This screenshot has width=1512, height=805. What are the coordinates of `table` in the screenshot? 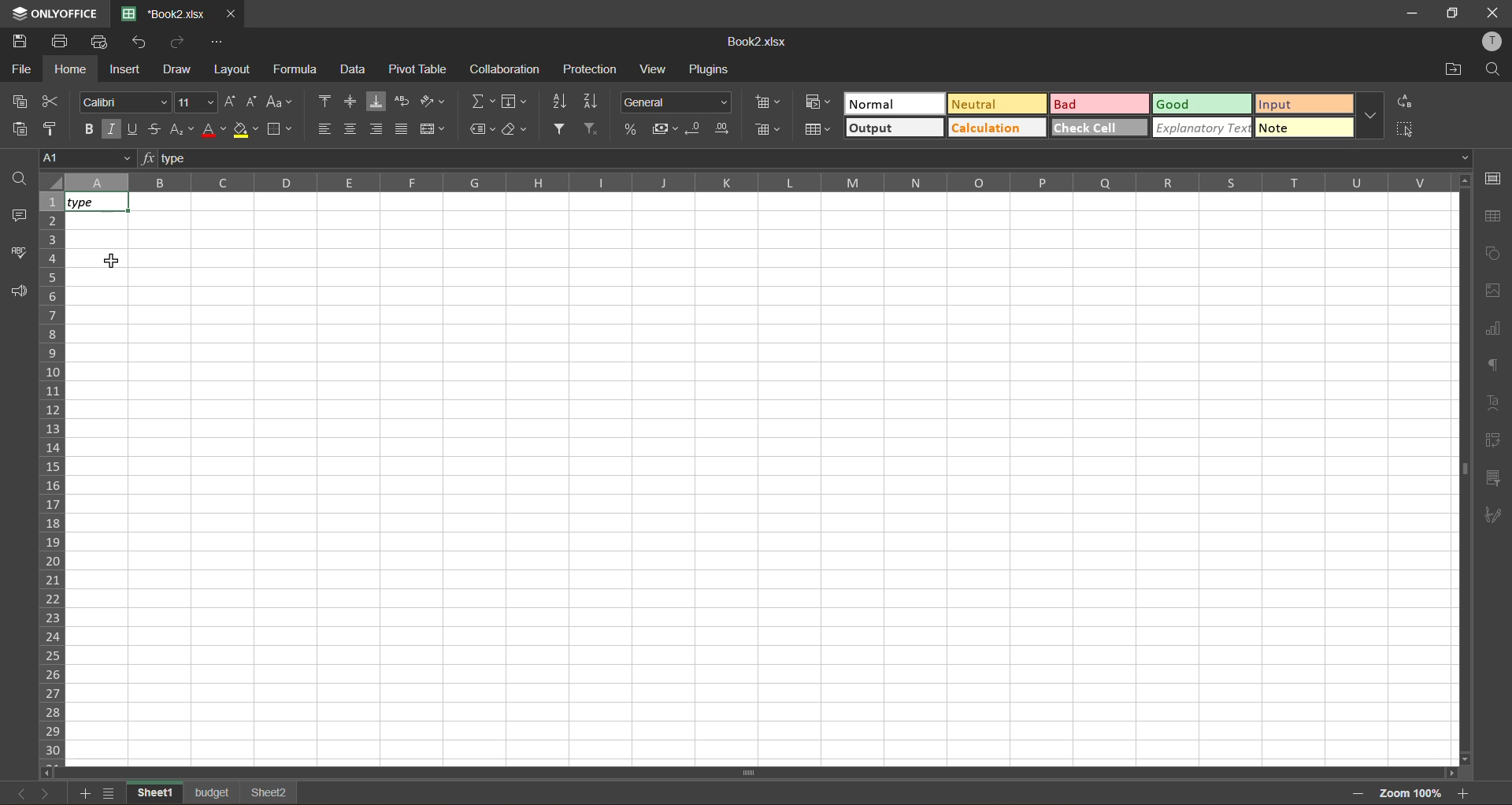 It's located at (1495, 217).